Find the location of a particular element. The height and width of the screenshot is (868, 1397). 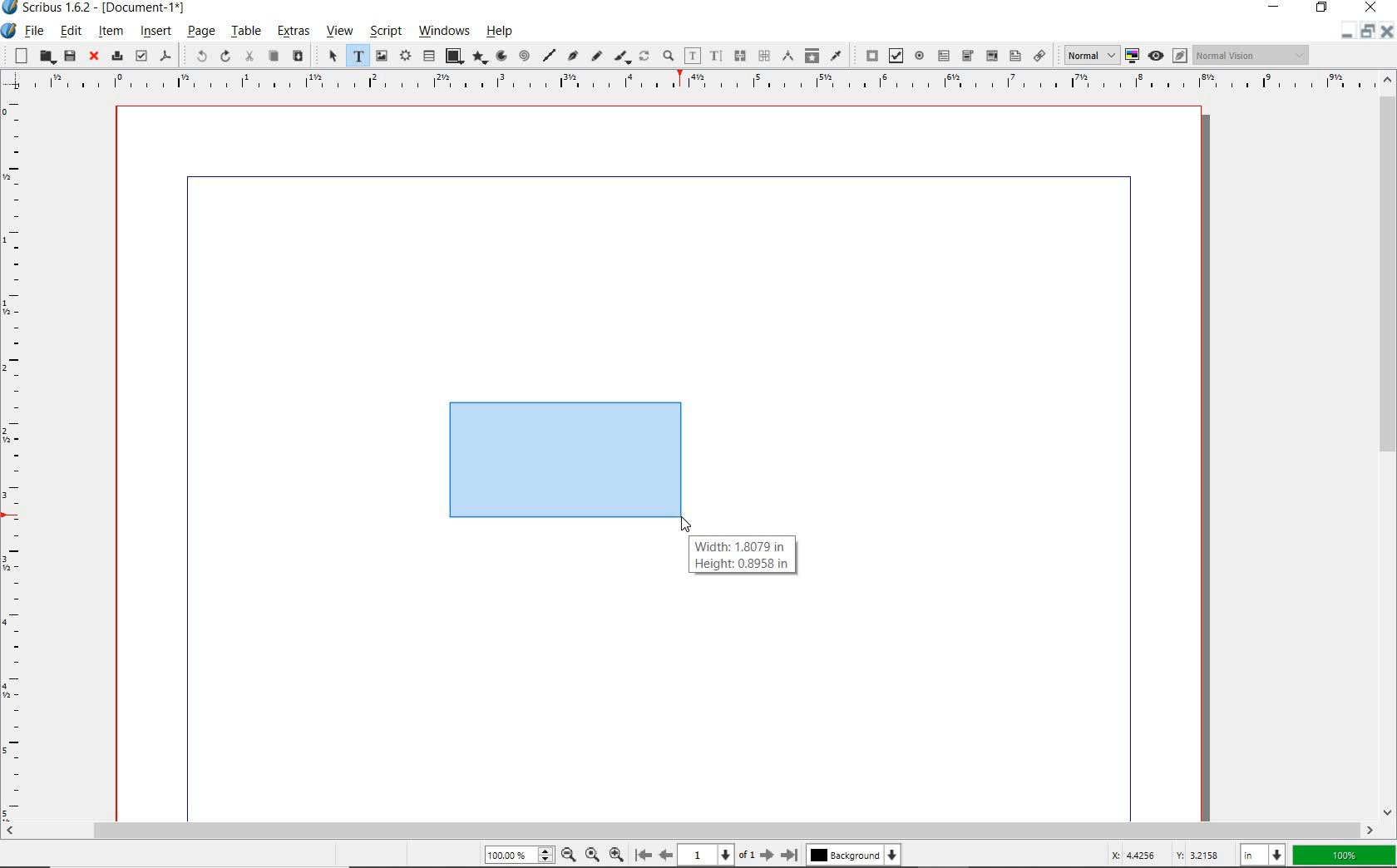

toggle color is located at coordinates (1133, 55).